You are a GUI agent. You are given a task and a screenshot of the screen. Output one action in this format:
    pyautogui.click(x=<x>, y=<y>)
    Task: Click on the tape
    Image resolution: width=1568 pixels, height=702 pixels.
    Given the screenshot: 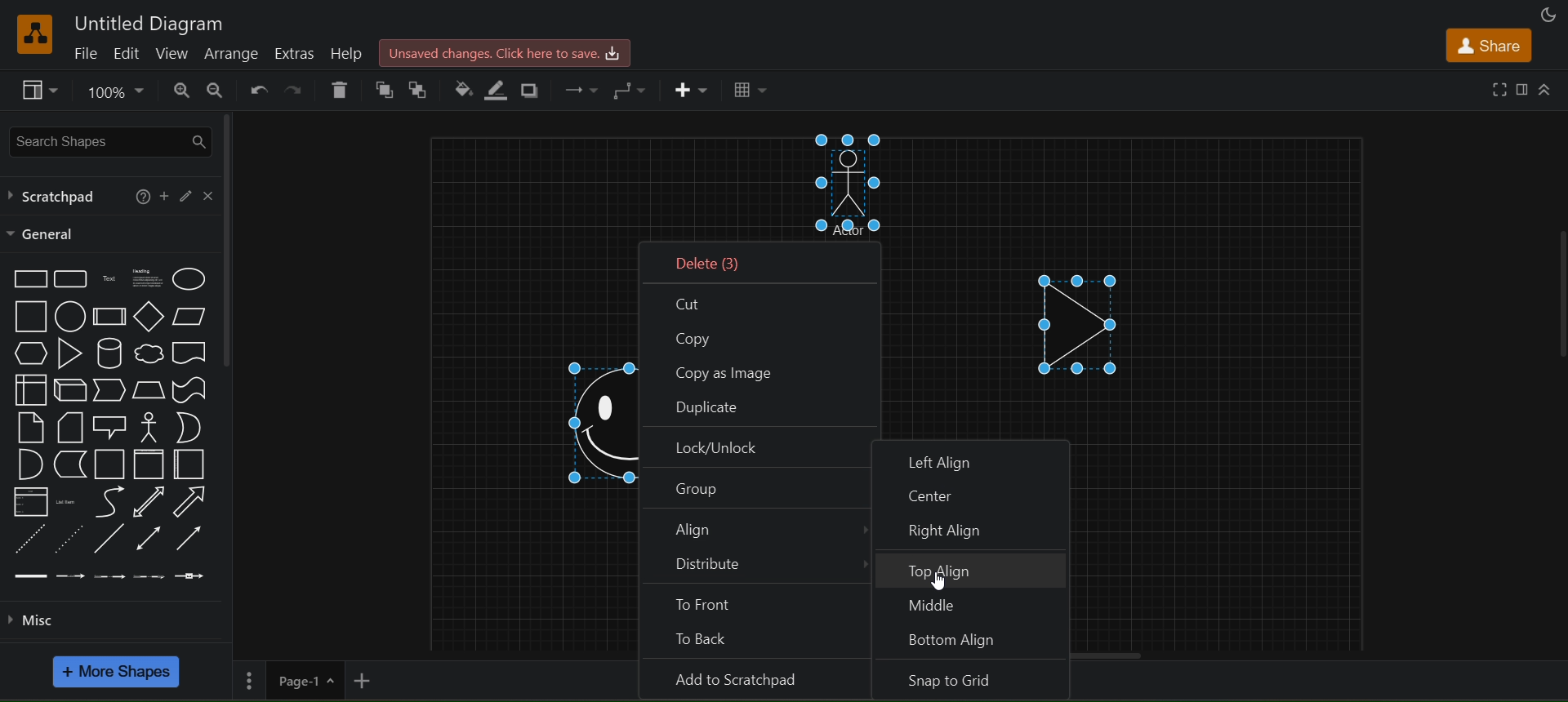 What is the action you would take?
    pyautogui.click(x=189, y=389)
    